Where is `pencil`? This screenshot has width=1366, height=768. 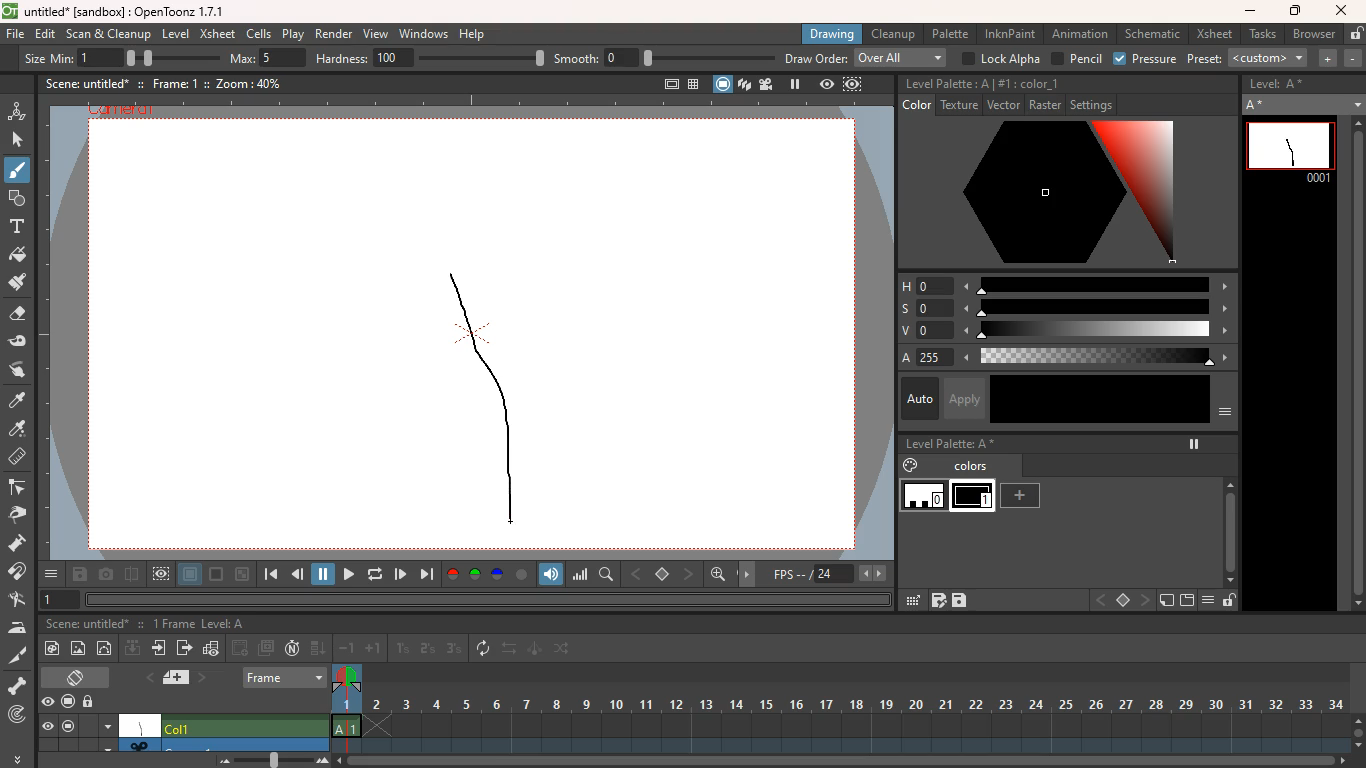
pencil is located at coordinates (1077, 59).